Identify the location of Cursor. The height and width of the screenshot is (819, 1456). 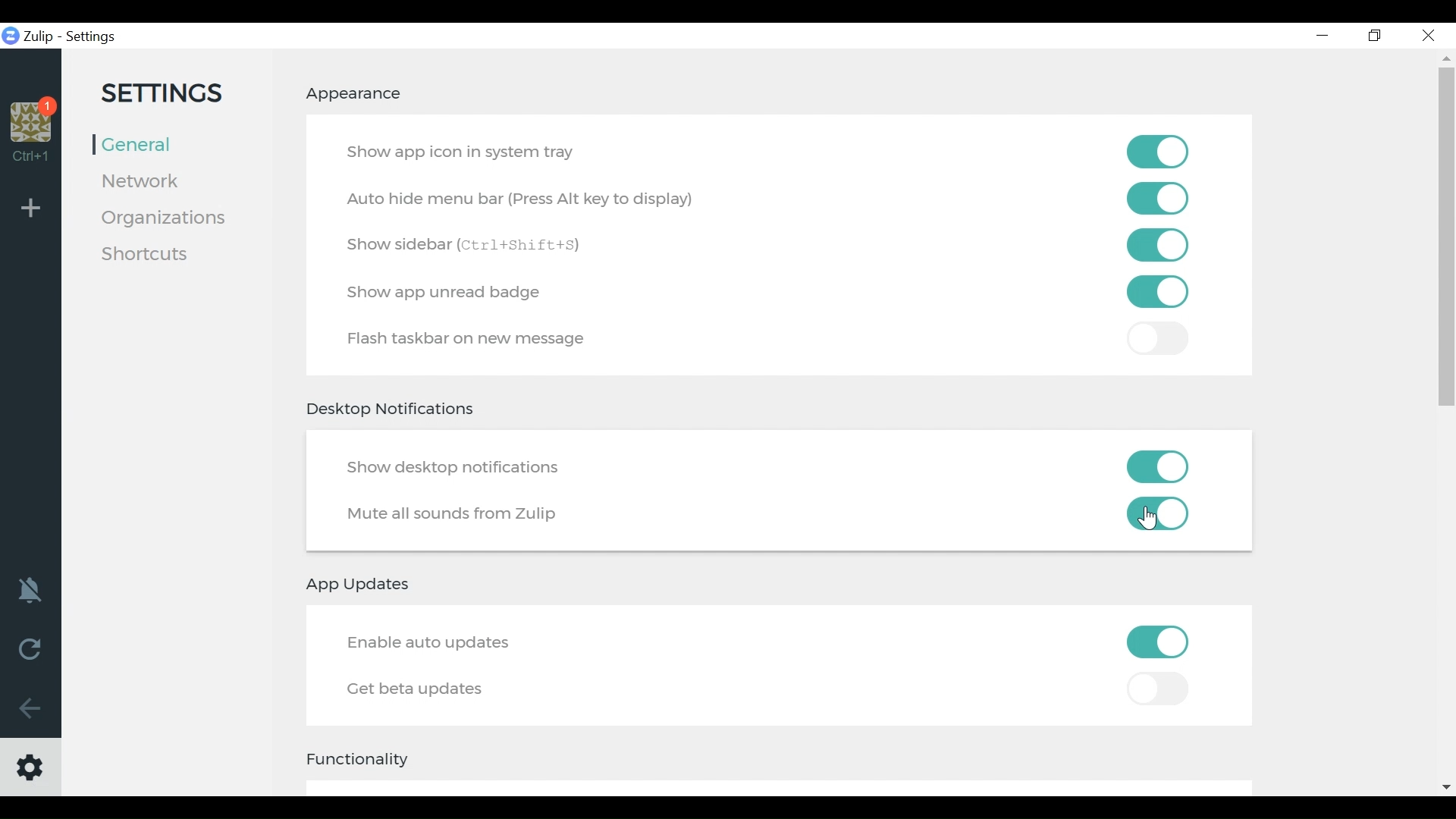
(1149, 520).